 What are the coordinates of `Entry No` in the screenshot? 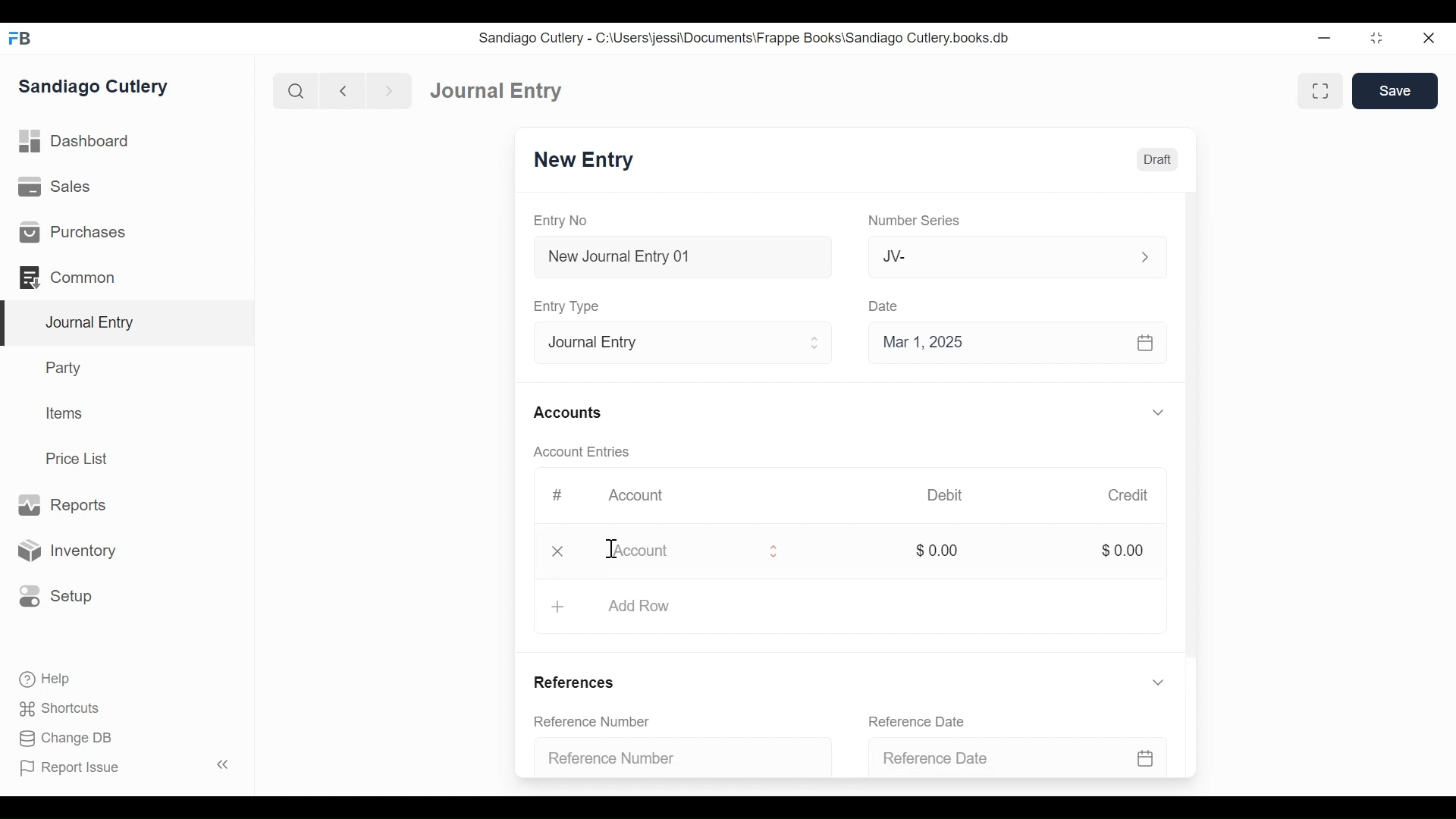 It's located at (566, 221).